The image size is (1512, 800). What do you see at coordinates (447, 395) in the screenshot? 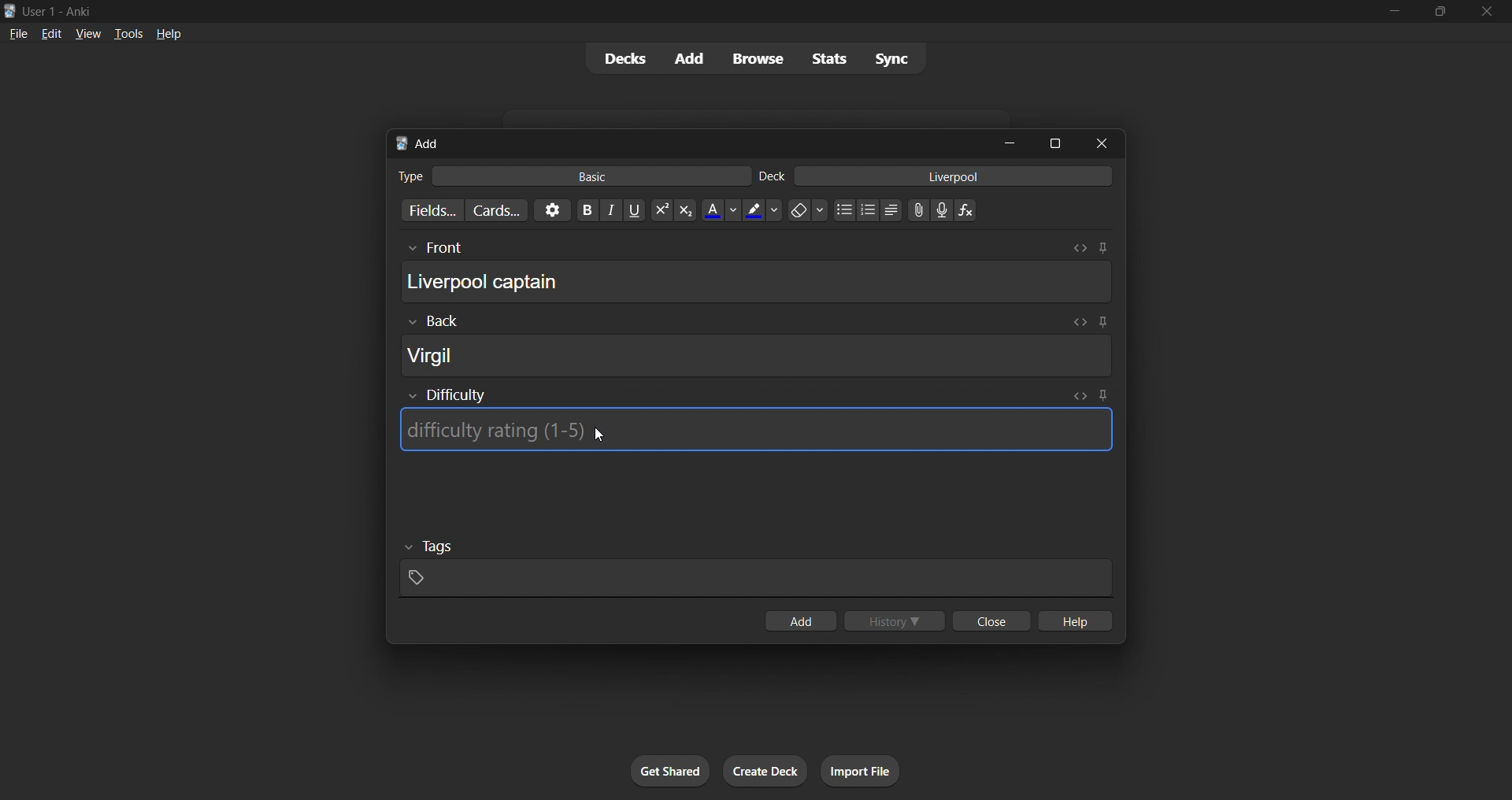
I see `Show/Hide Difficulty rating input box` at bounding box center [447, 395].